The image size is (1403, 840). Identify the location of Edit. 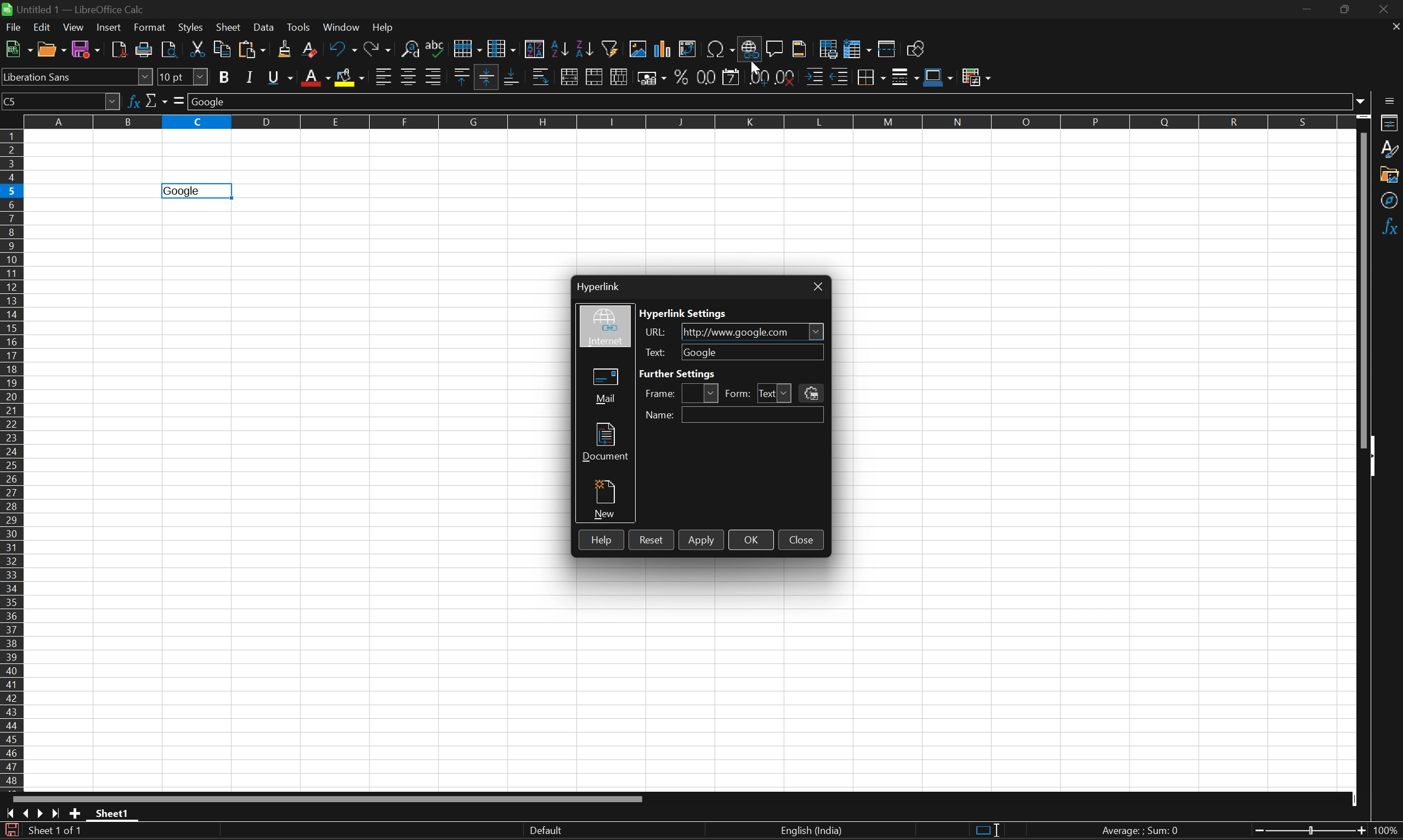
(45, 28).